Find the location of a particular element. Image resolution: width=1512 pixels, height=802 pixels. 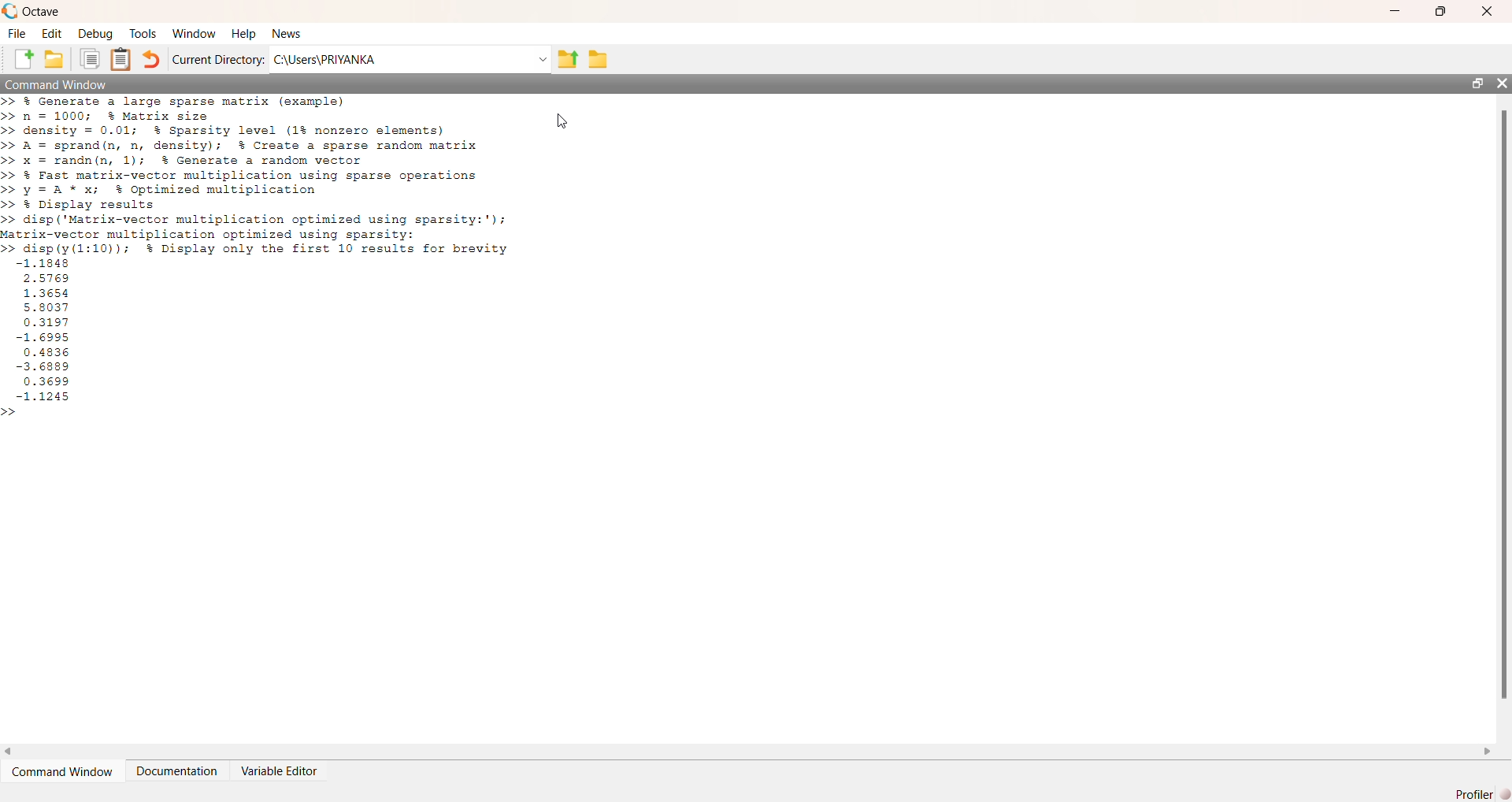

edit is located at coordinates (51, 35).